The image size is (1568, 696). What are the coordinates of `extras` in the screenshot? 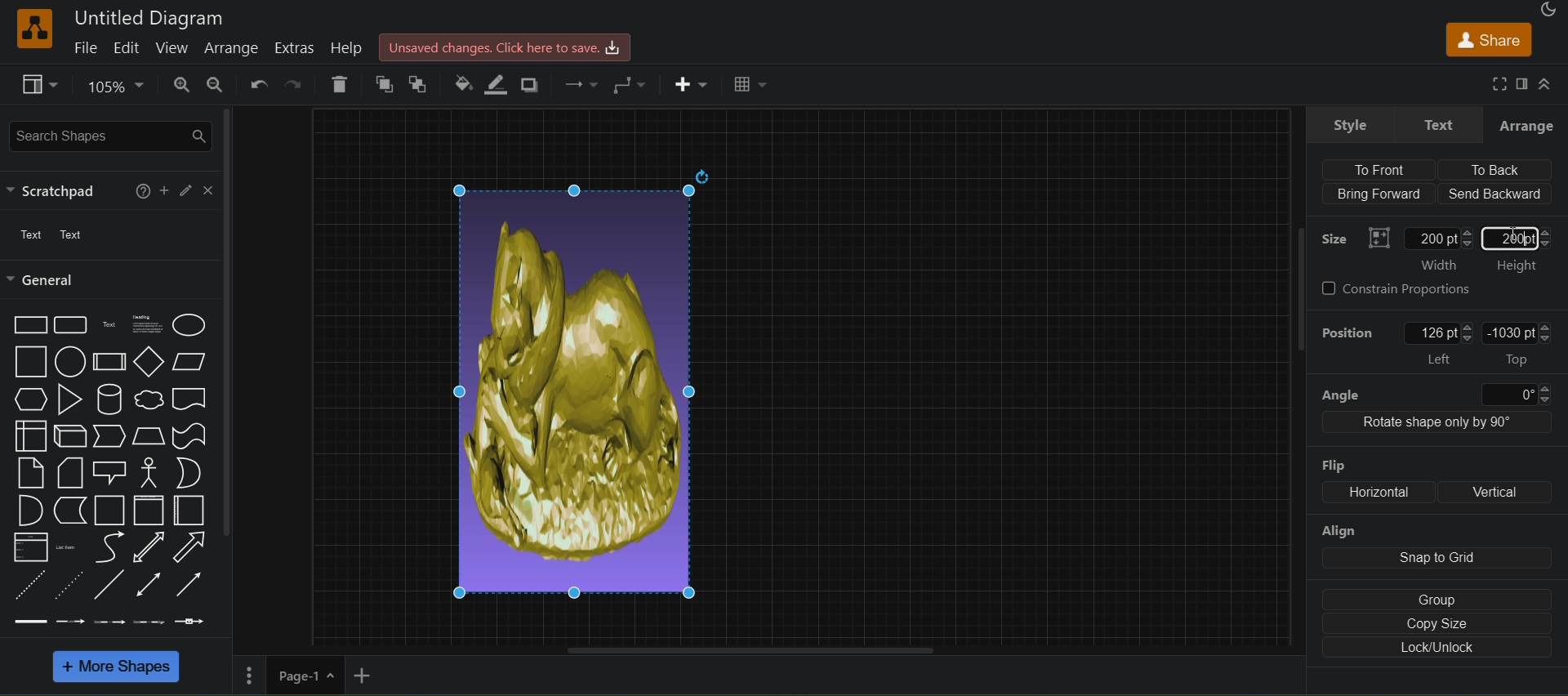 It's located at (295, 47).